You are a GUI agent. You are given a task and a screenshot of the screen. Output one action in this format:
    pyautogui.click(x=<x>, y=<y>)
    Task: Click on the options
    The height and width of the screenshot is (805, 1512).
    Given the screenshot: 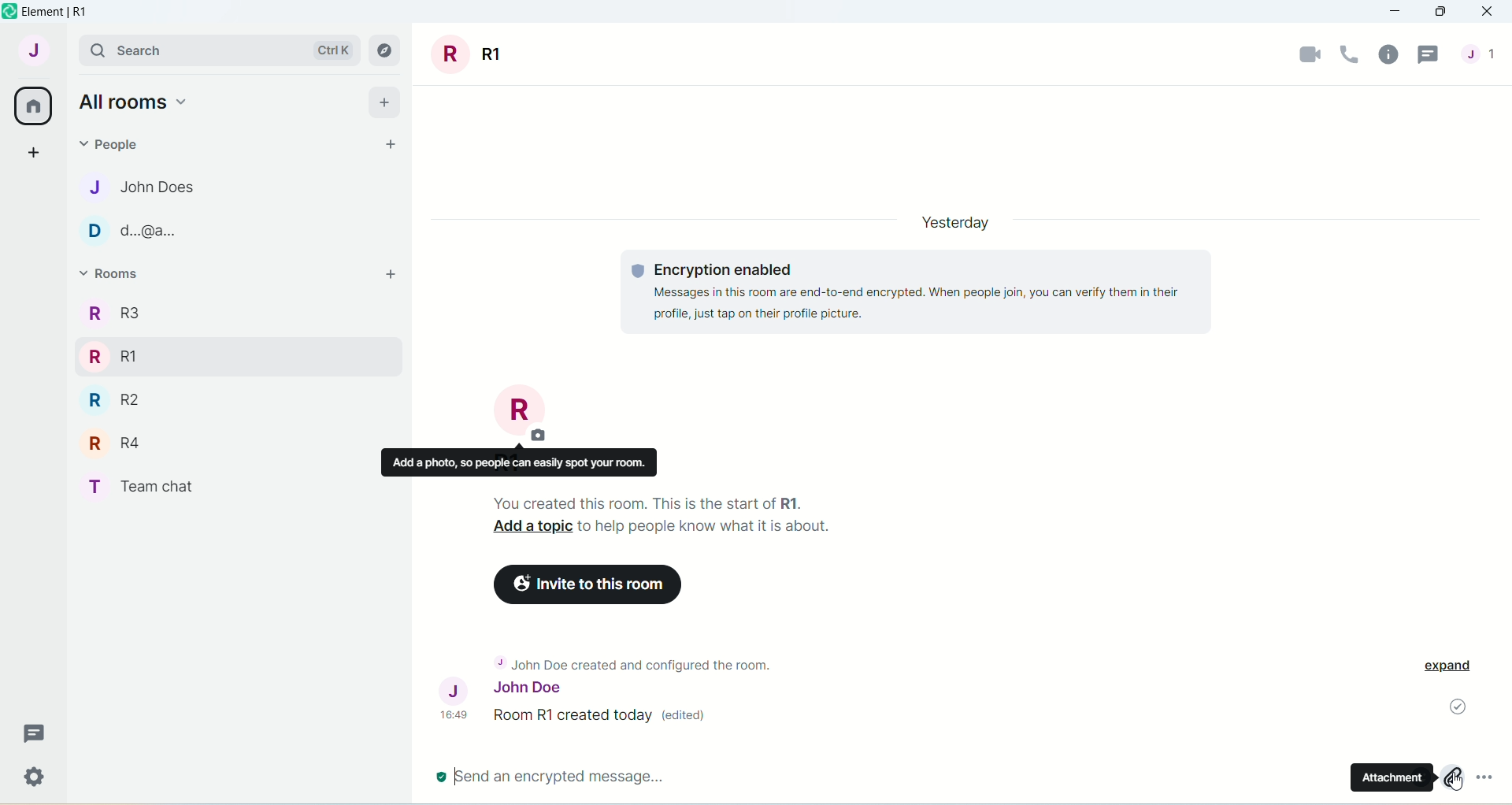 What is the action you would take?
    pyautogui.click(x=1492, y=783)
    